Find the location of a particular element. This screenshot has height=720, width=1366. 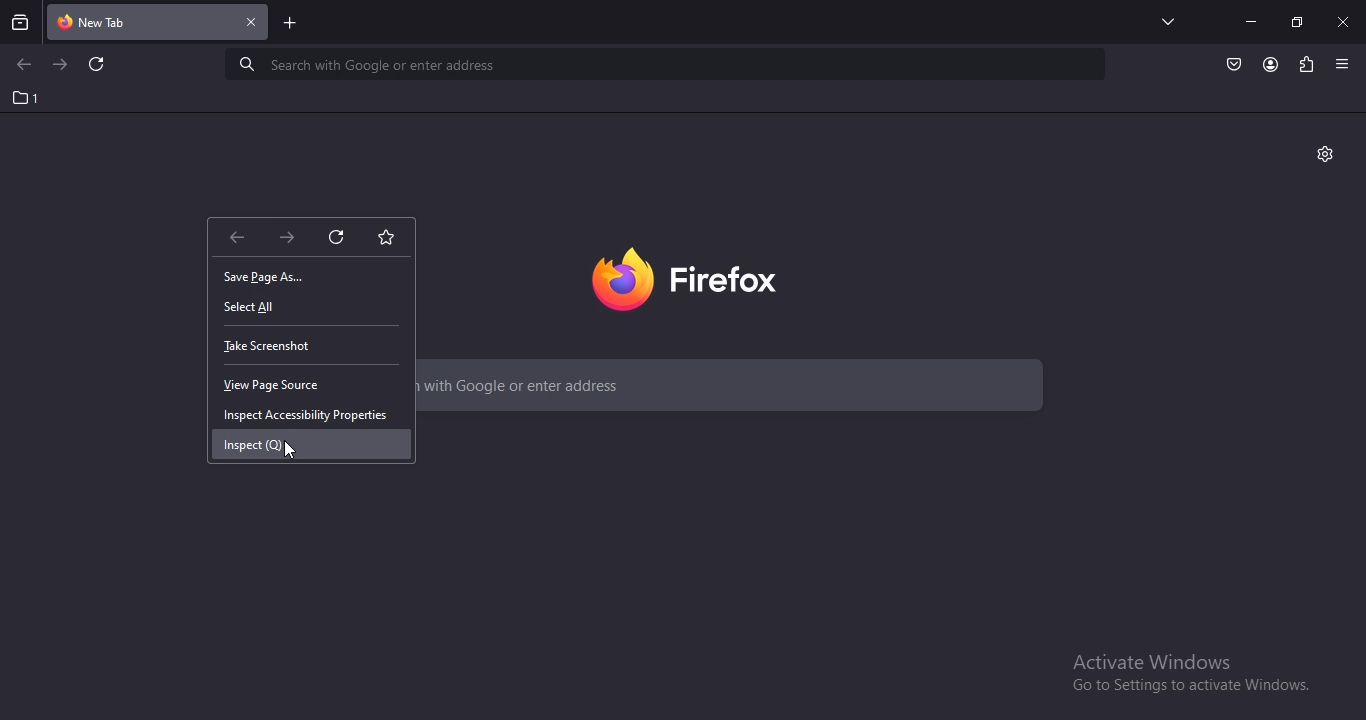

inspect accessibility properties is located at coordinates (309, 413).